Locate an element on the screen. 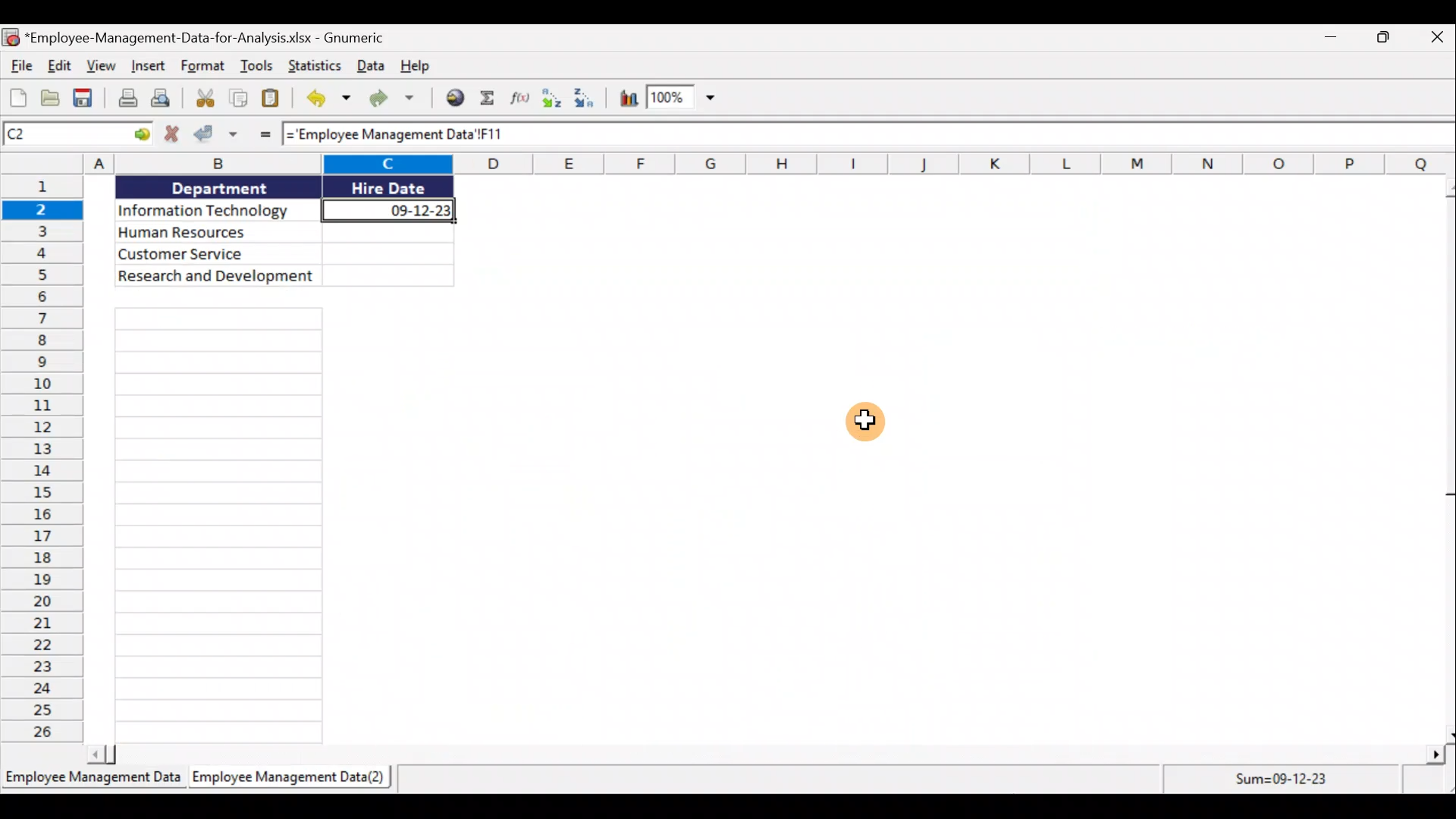  Edit is located at coordinates (58, 65).